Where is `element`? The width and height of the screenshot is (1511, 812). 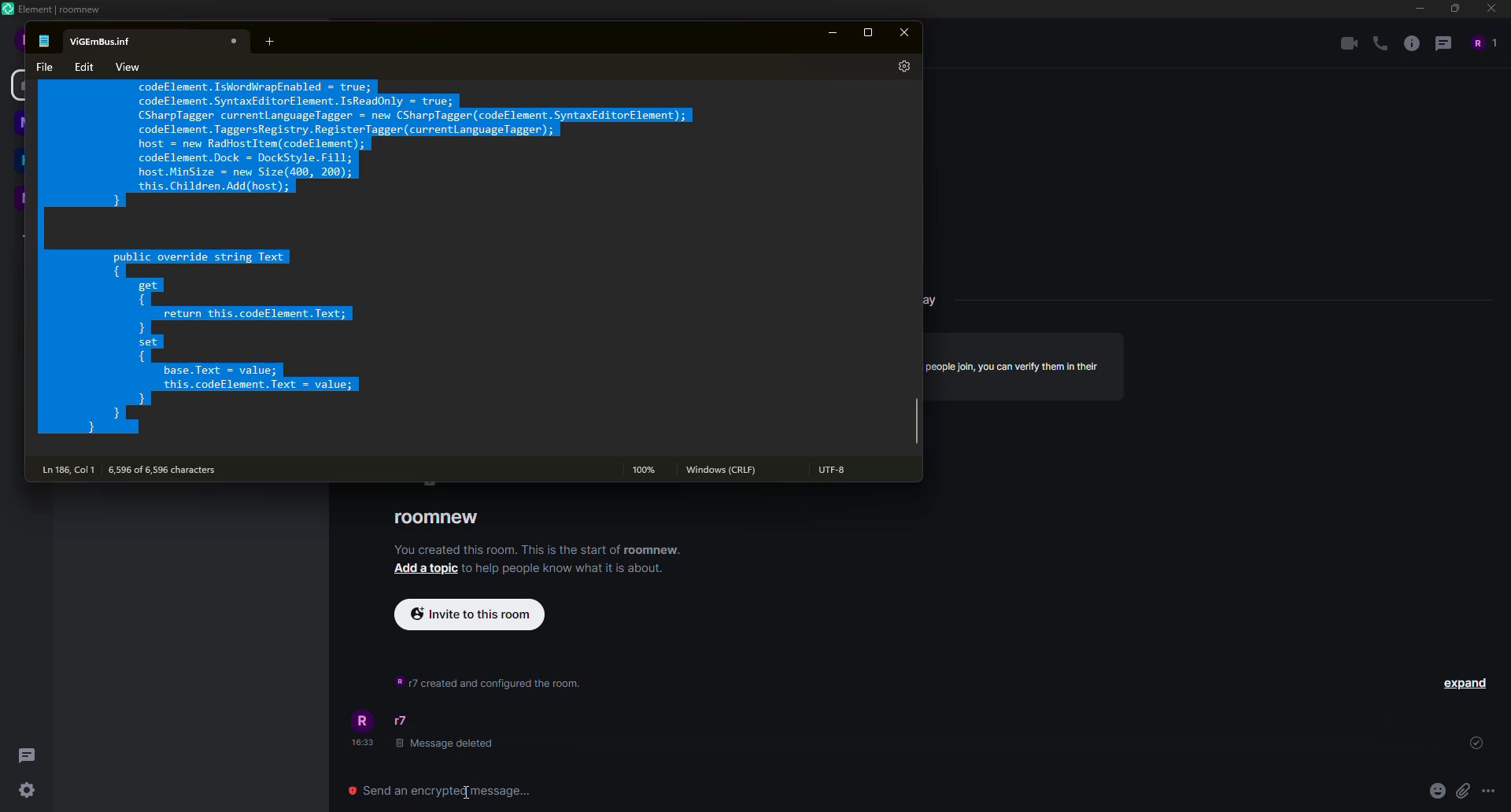
element is located at coordinates (55, 9).